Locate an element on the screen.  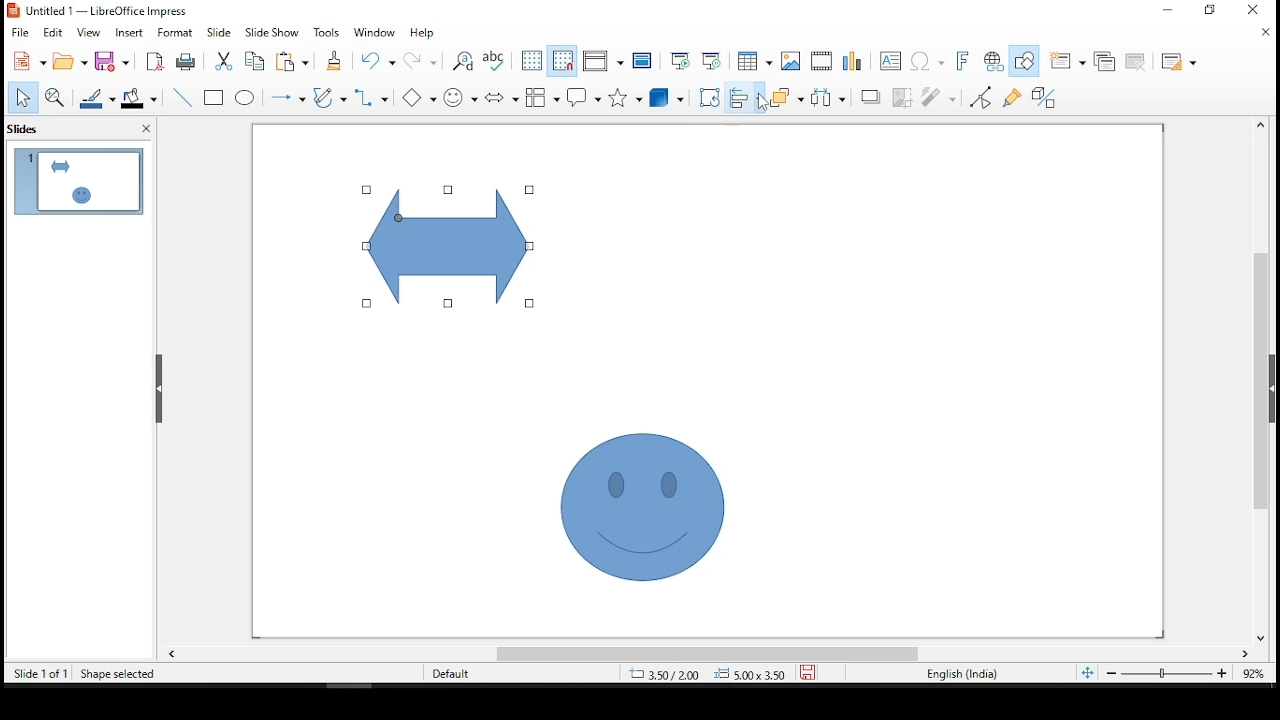
copy is located at coordinates (256, 62).